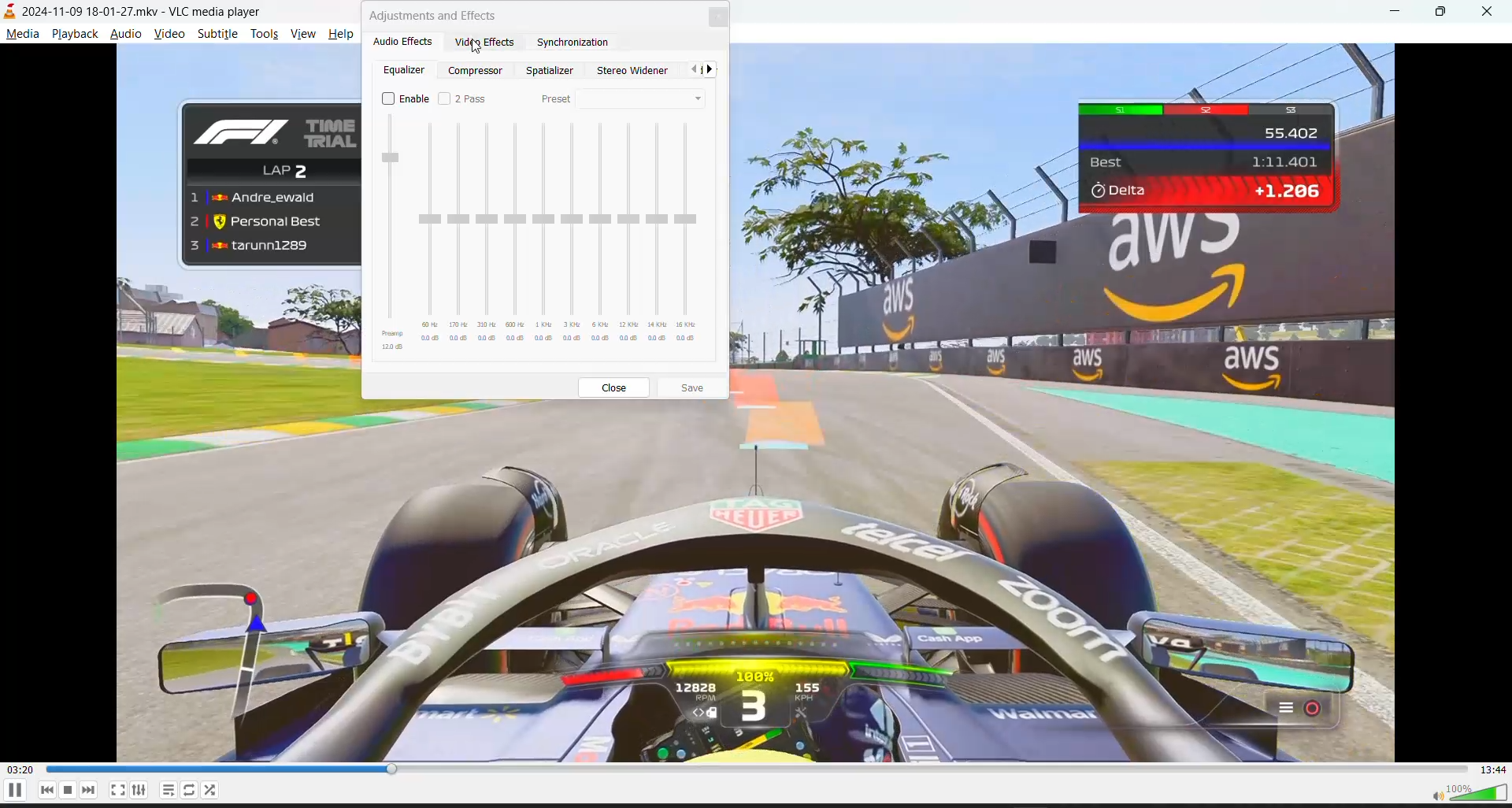 This screenshot has width=1512, height=808. I want to click on current track time, so click(20, 770).